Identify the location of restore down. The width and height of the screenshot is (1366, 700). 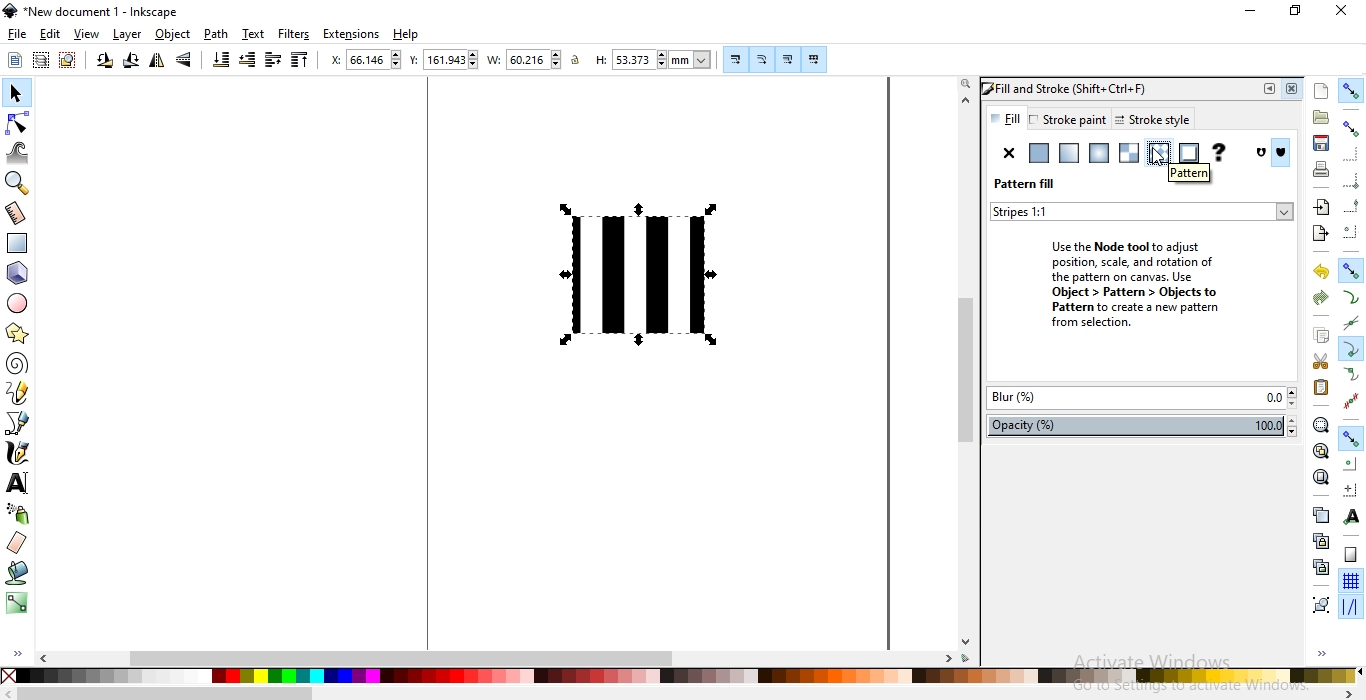
(1294, 9).